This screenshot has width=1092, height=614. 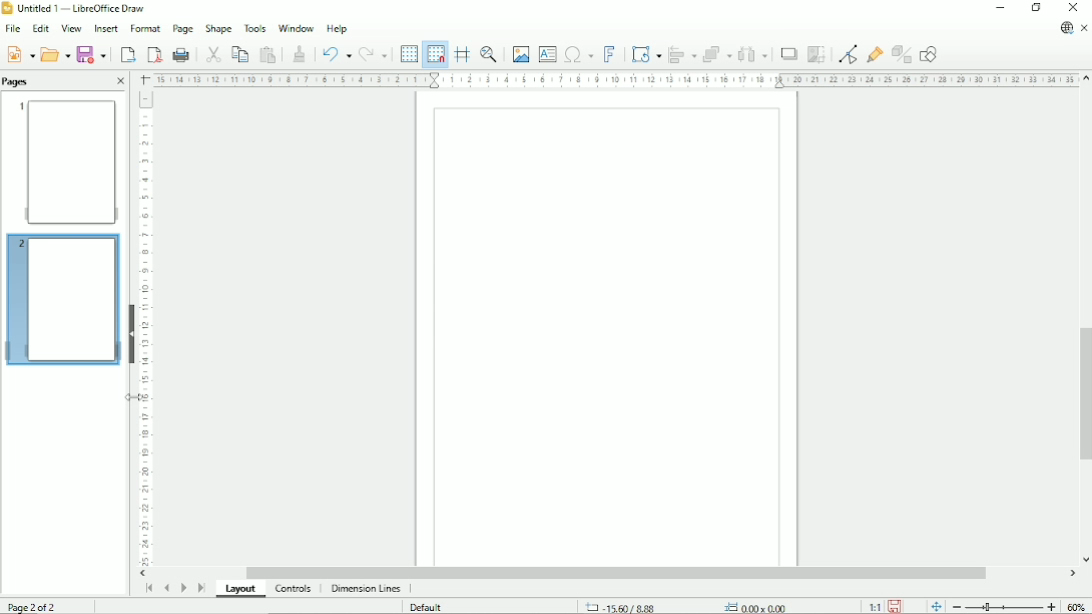 I want to click on Align objects, so click(x=683, y=54).